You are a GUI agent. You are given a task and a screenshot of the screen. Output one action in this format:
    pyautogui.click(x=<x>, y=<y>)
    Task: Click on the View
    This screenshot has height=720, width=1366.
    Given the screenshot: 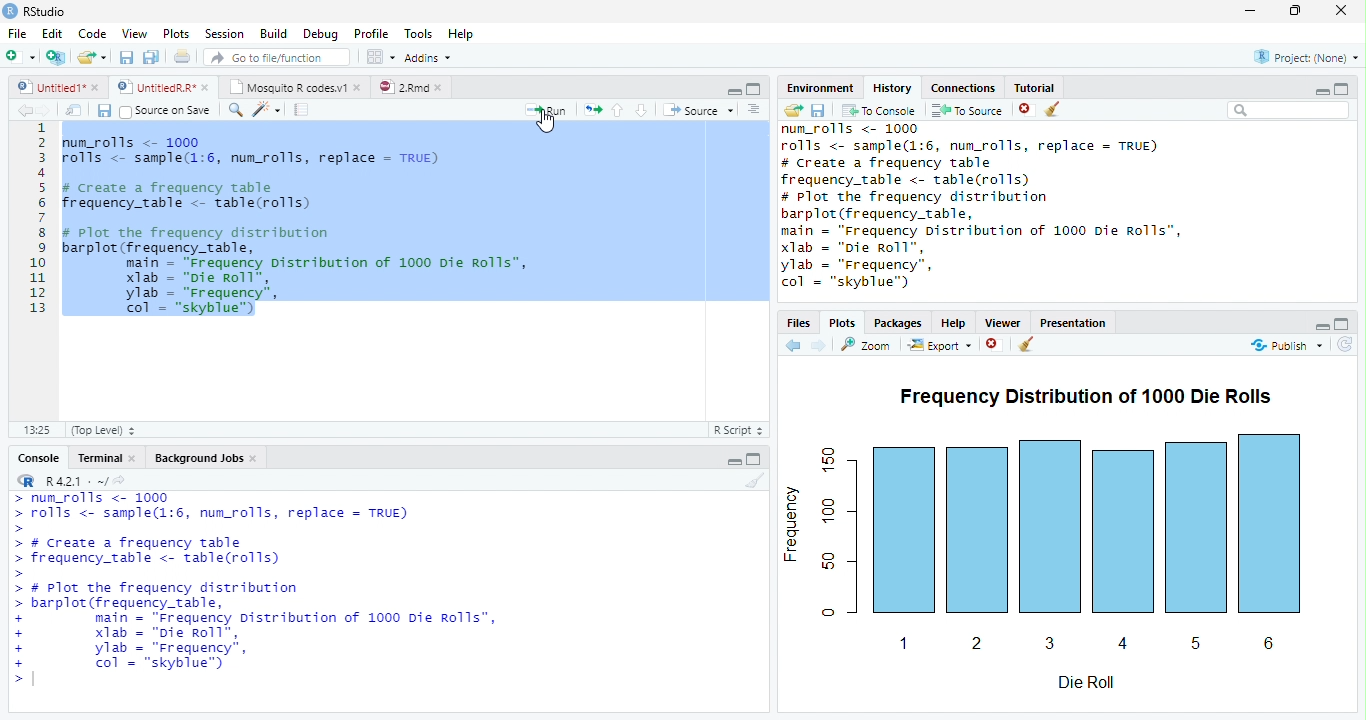 What is the action you would take?
    pyautogui.click(x=135, y=32)
    